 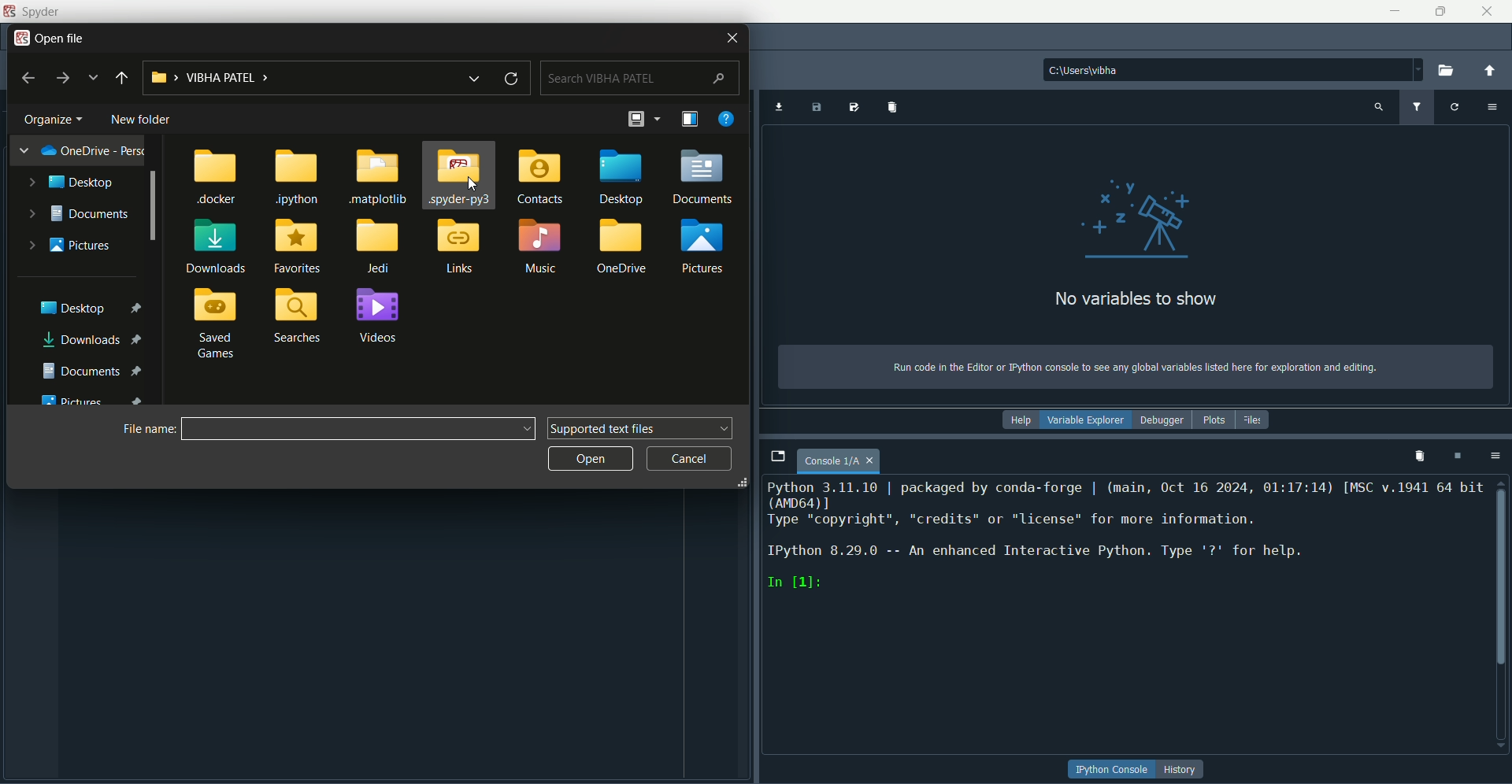 What do you see at coordinates (49, 36) in the screenshot?
I see `open file` at bounding box center [49, 36].